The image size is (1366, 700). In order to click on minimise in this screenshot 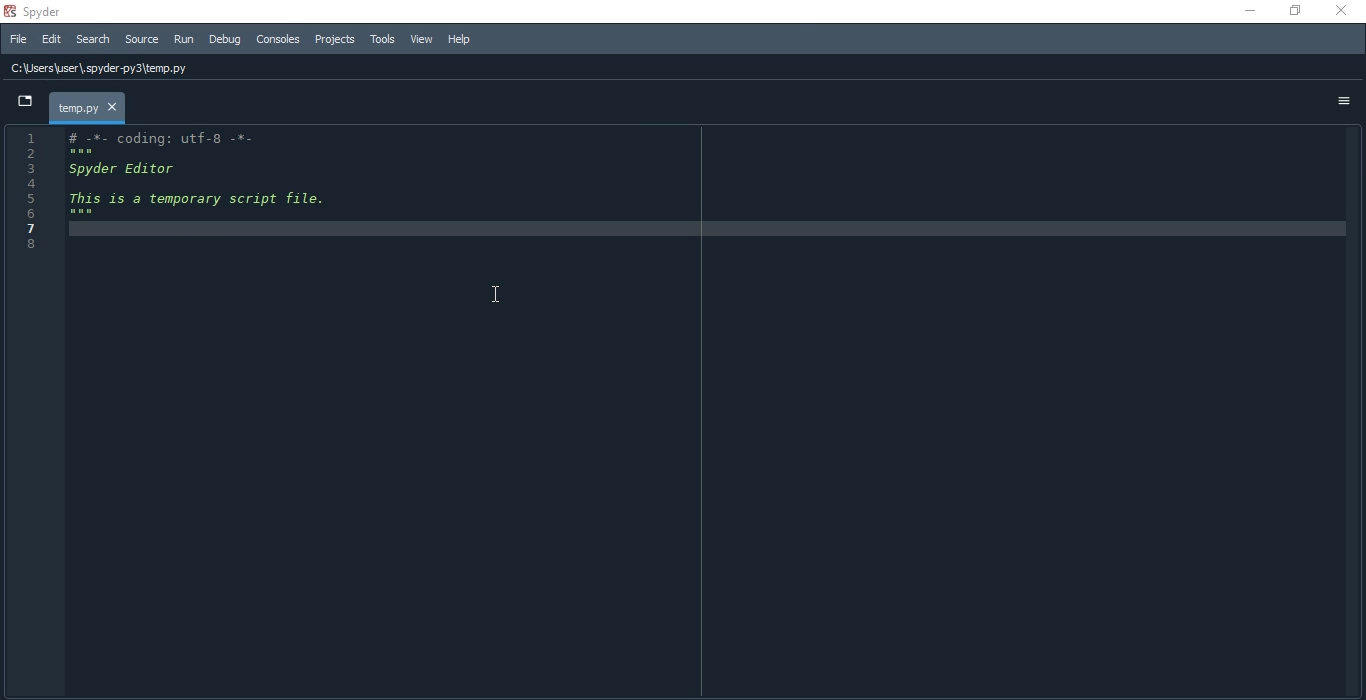, I will do `click(1244, 10)`.